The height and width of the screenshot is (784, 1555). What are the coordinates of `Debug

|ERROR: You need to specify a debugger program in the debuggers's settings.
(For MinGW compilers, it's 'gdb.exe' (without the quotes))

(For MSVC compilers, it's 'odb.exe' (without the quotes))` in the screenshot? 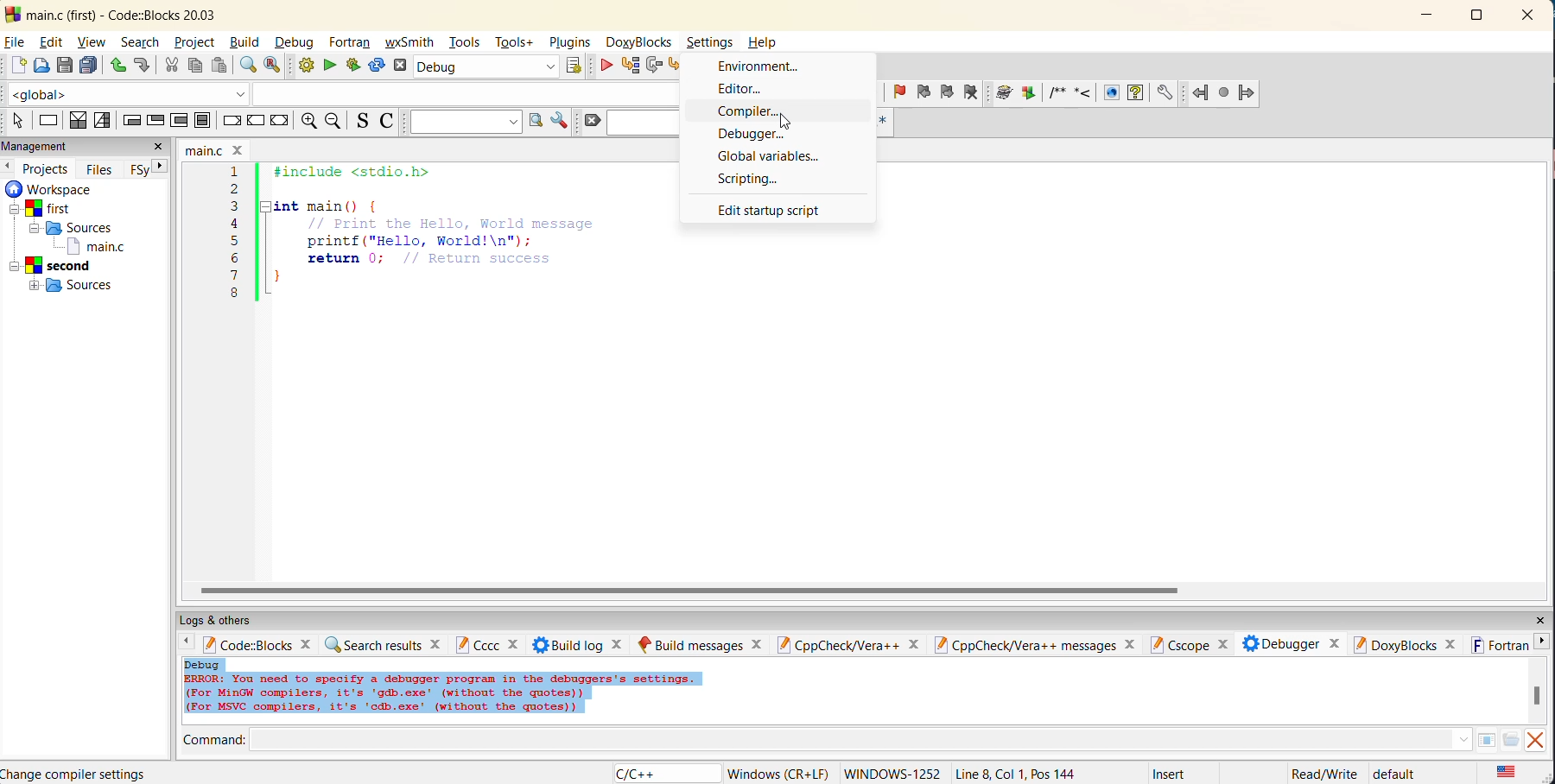 It's located at (442, 687).